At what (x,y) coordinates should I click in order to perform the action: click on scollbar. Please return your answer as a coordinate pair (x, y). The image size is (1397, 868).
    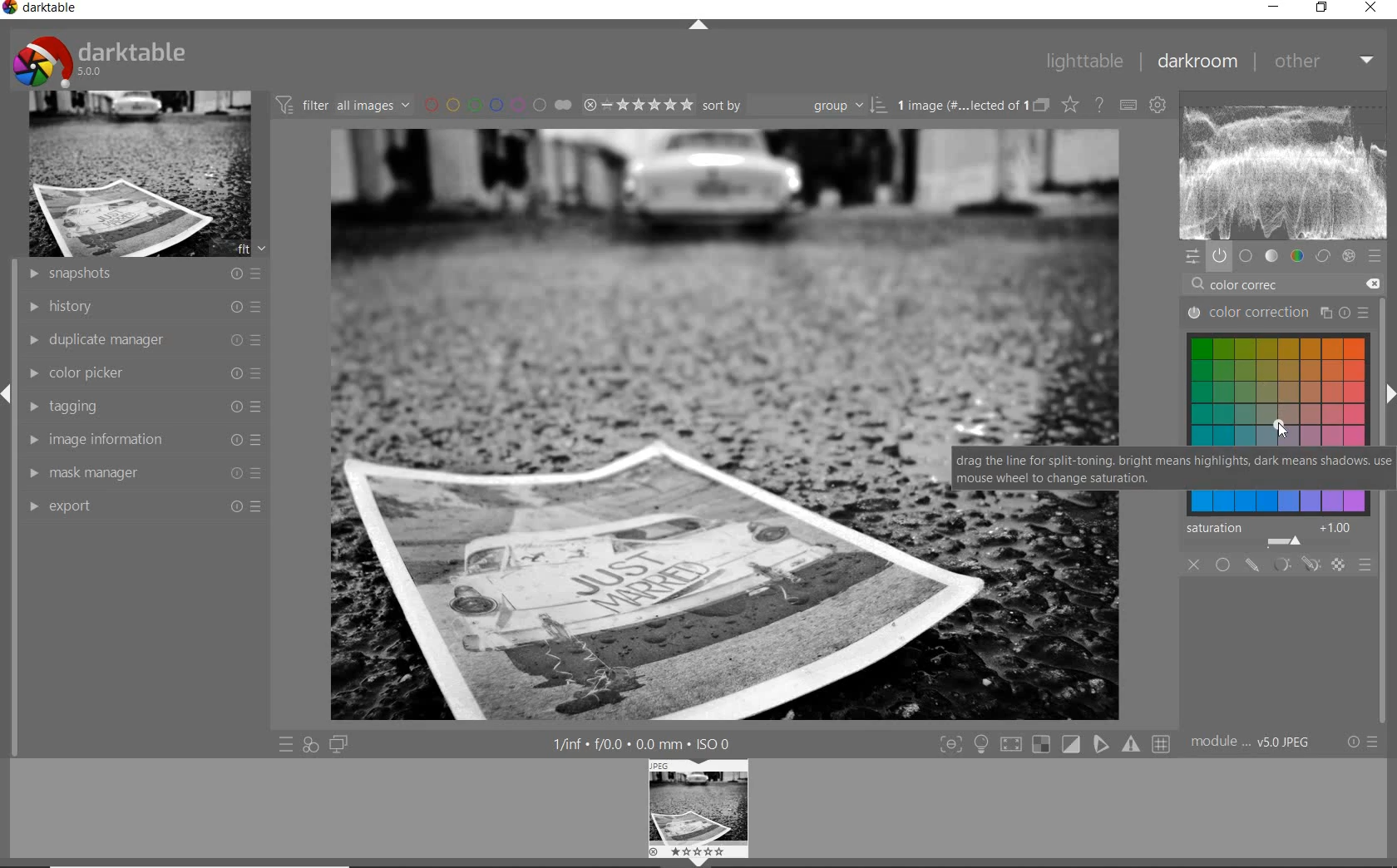
    Looking at the image, I should click on (1386, 333).